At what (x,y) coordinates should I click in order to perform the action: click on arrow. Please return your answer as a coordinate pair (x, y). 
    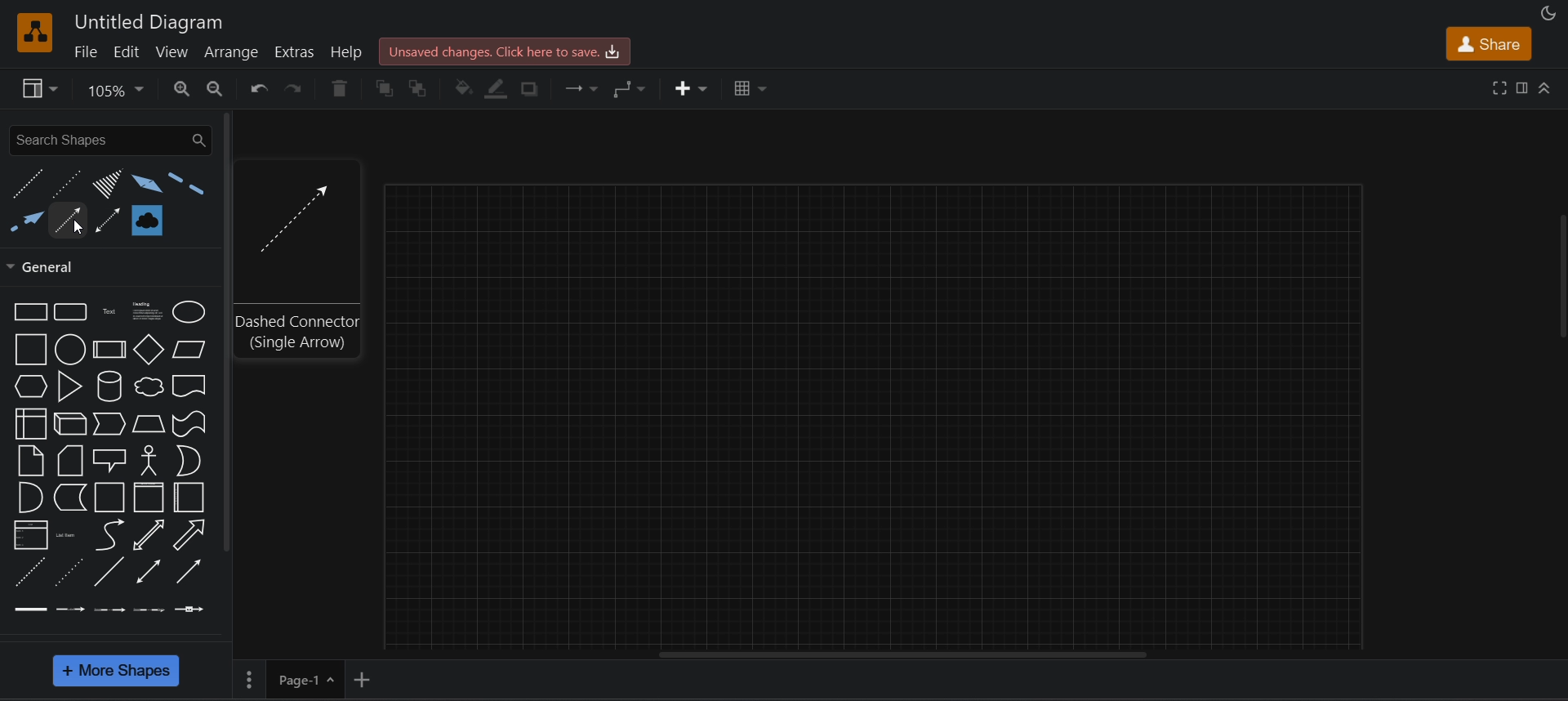
    Looking at the image, I should click on (69, 216).